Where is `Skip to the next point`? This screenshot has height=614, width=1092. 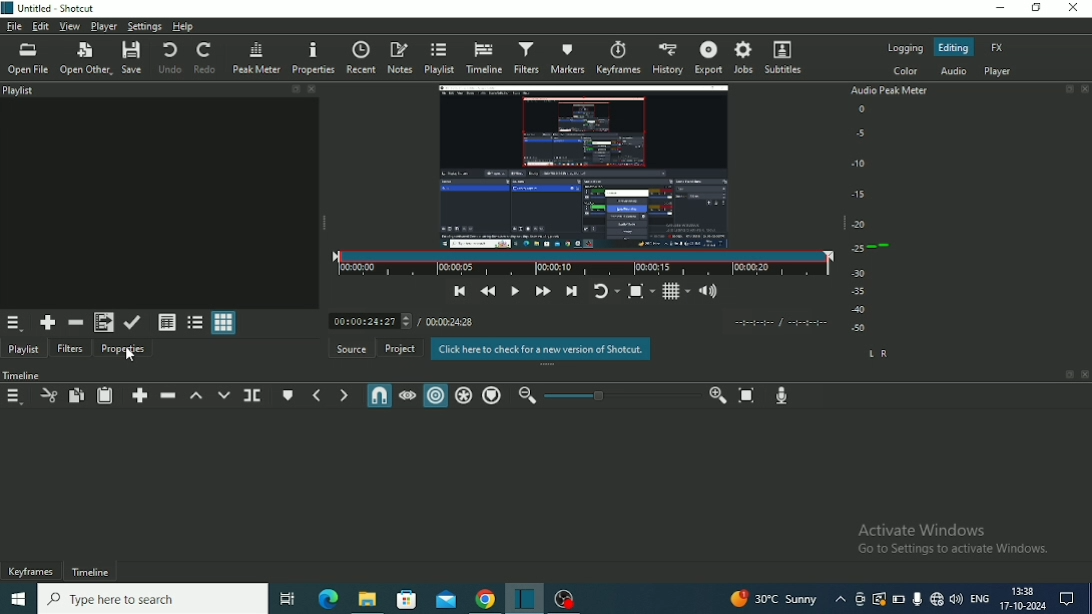
Skip to the next point is located at coordinates (571, 292).